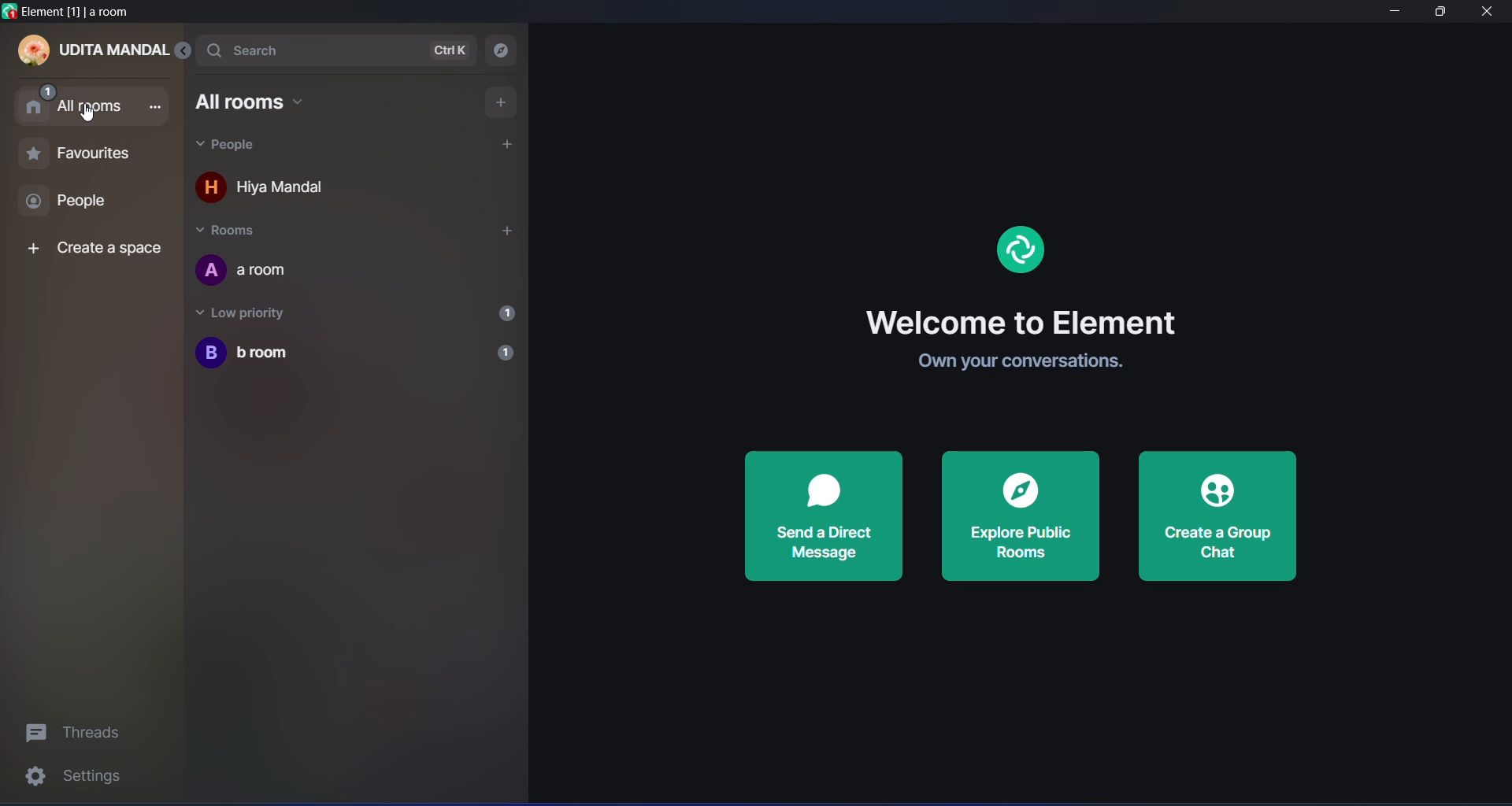  What do you see at coordinates (498, 102) in the screenshot?
I see `add room` at bounding box center [498, 102].